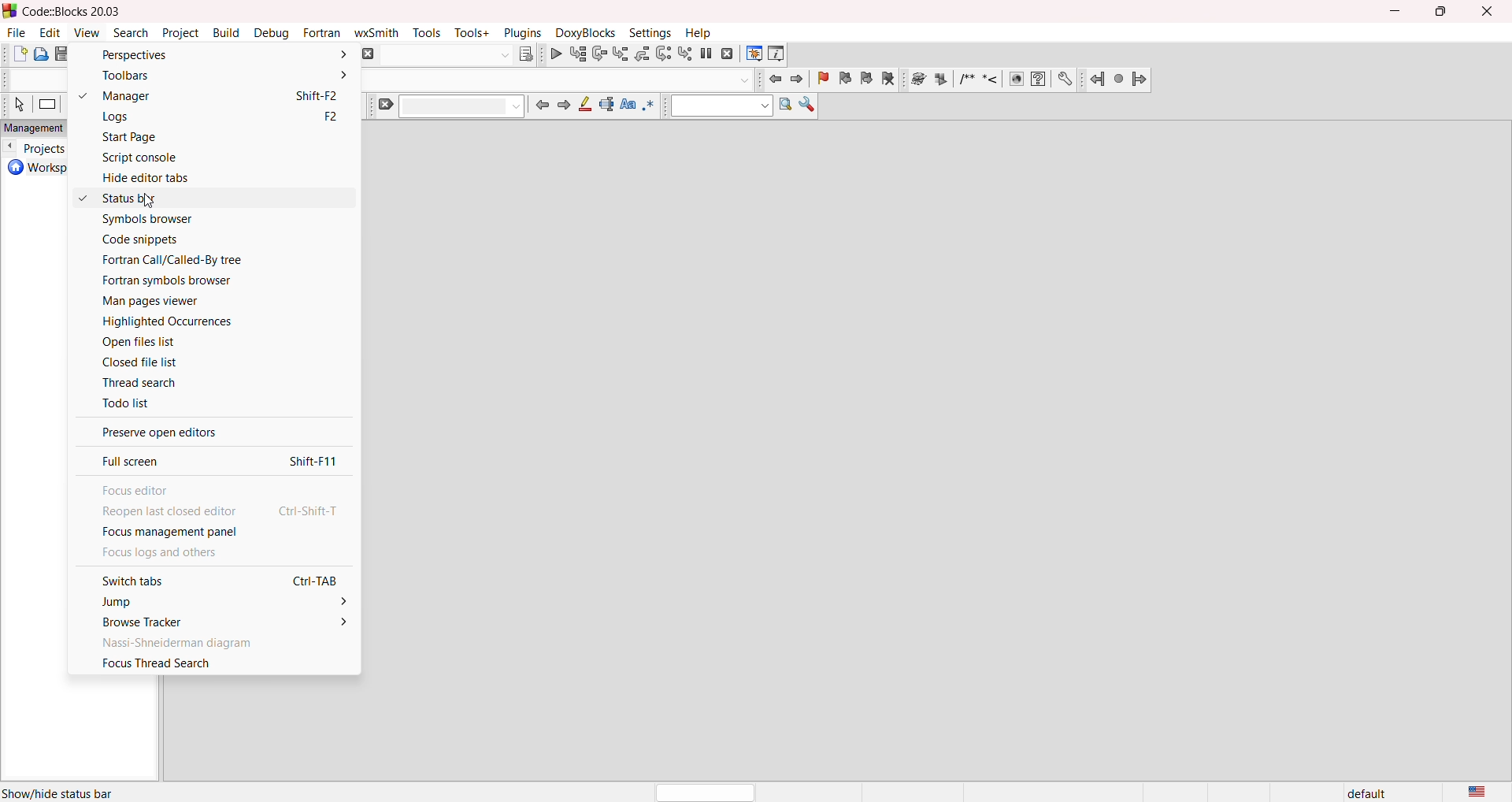  Describe the element at coordinates (556, 56) in the screenshot. I see `debug continue` at that location.